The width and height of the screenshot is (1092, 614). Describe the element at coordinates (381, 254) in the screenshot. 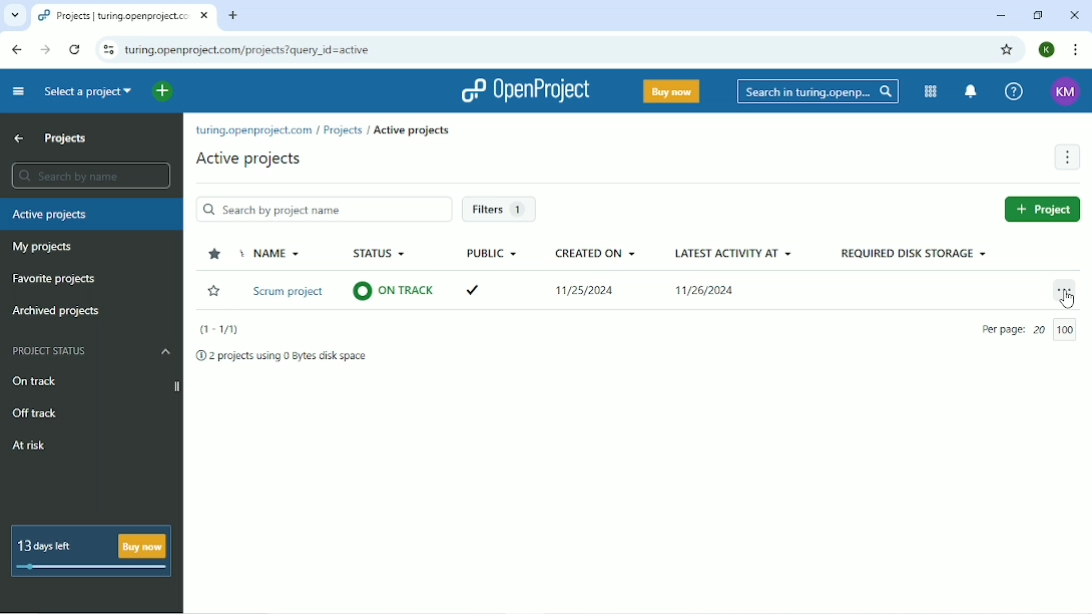

I see `Status` at that location.